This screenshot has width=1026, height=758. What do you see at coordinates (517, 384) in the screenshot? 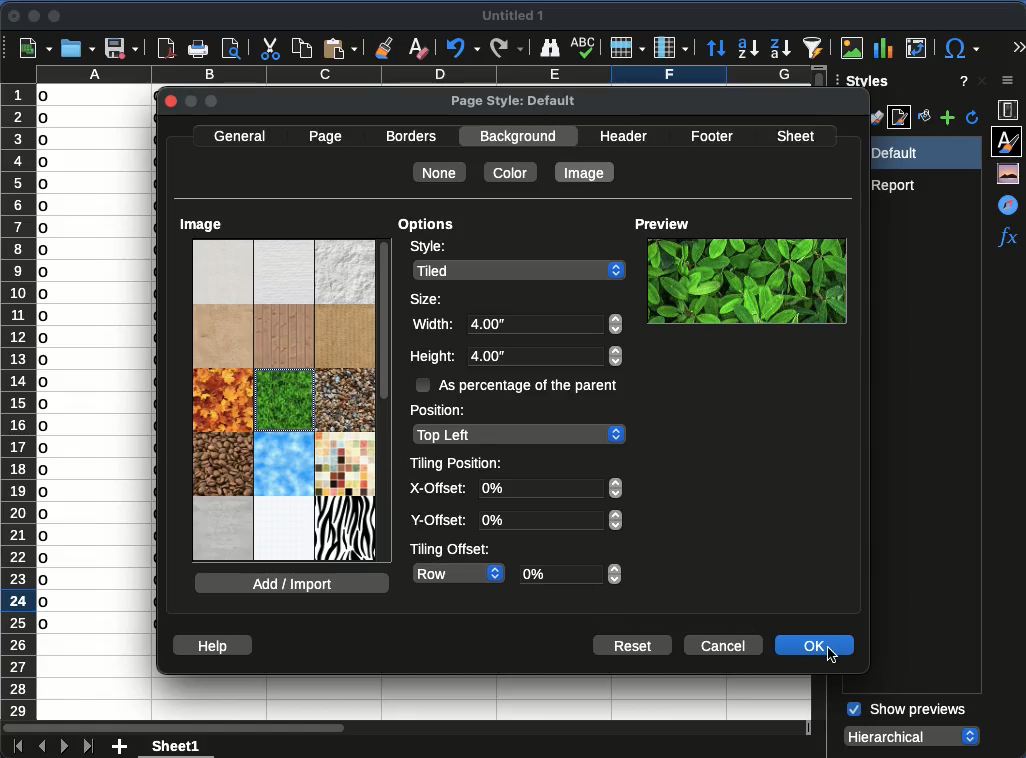
I see `as percentage of parent` at bounding box center [517, 384].